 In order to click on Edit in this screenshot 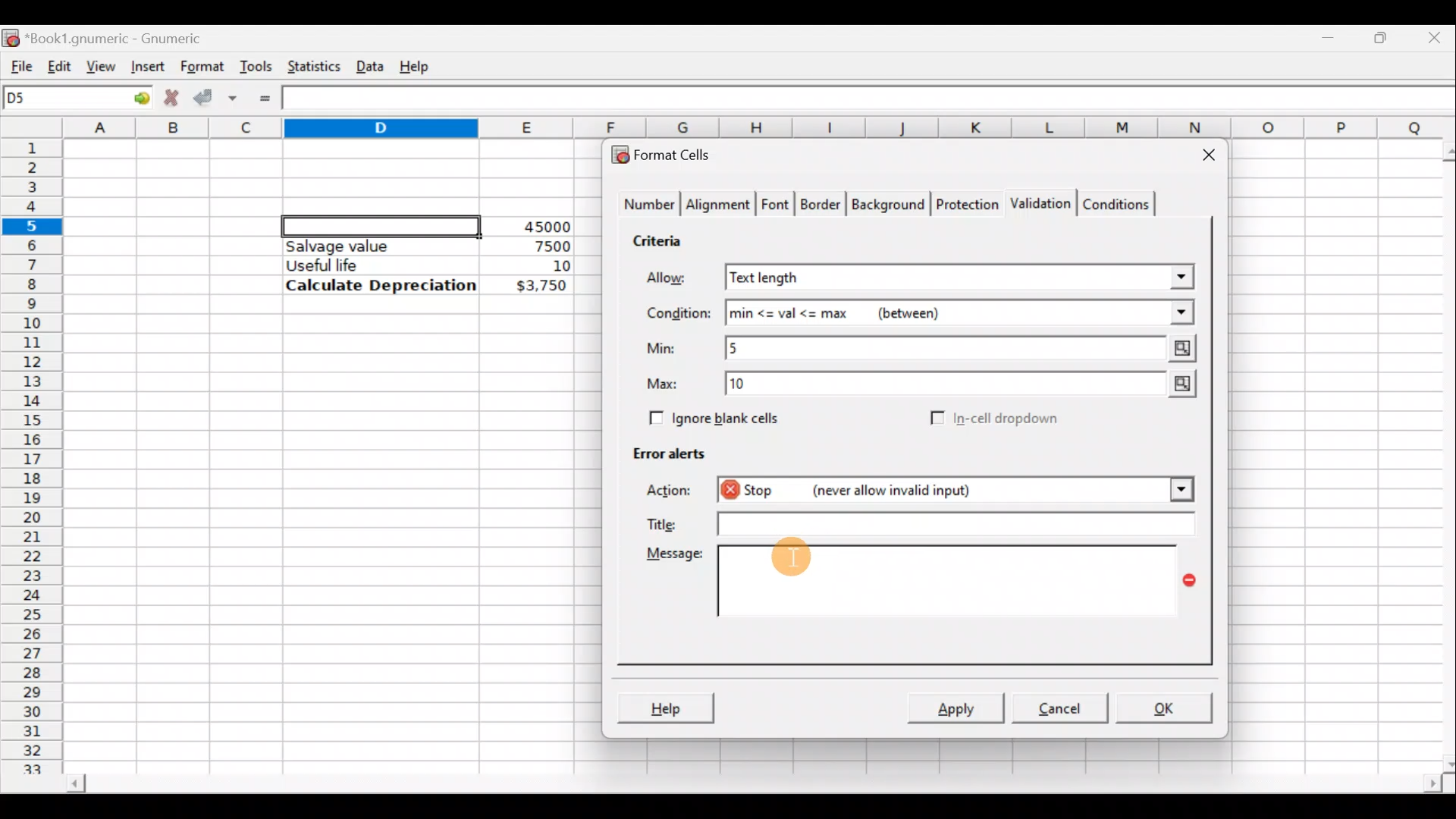, I will do `click(59, 63)`.